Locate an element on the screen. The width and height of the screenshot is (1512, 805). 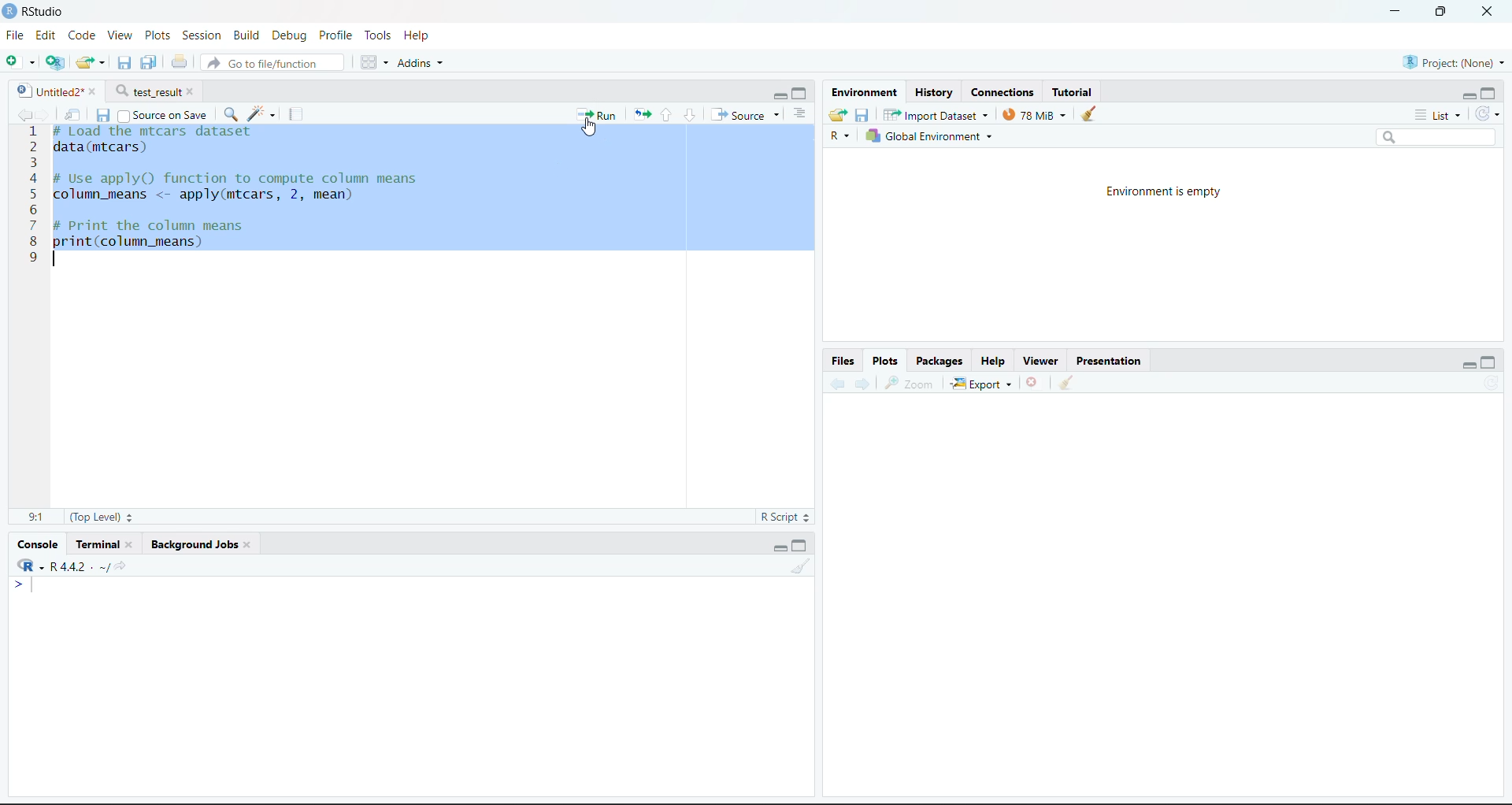
Minimize is located at coordinates (1466, 362).